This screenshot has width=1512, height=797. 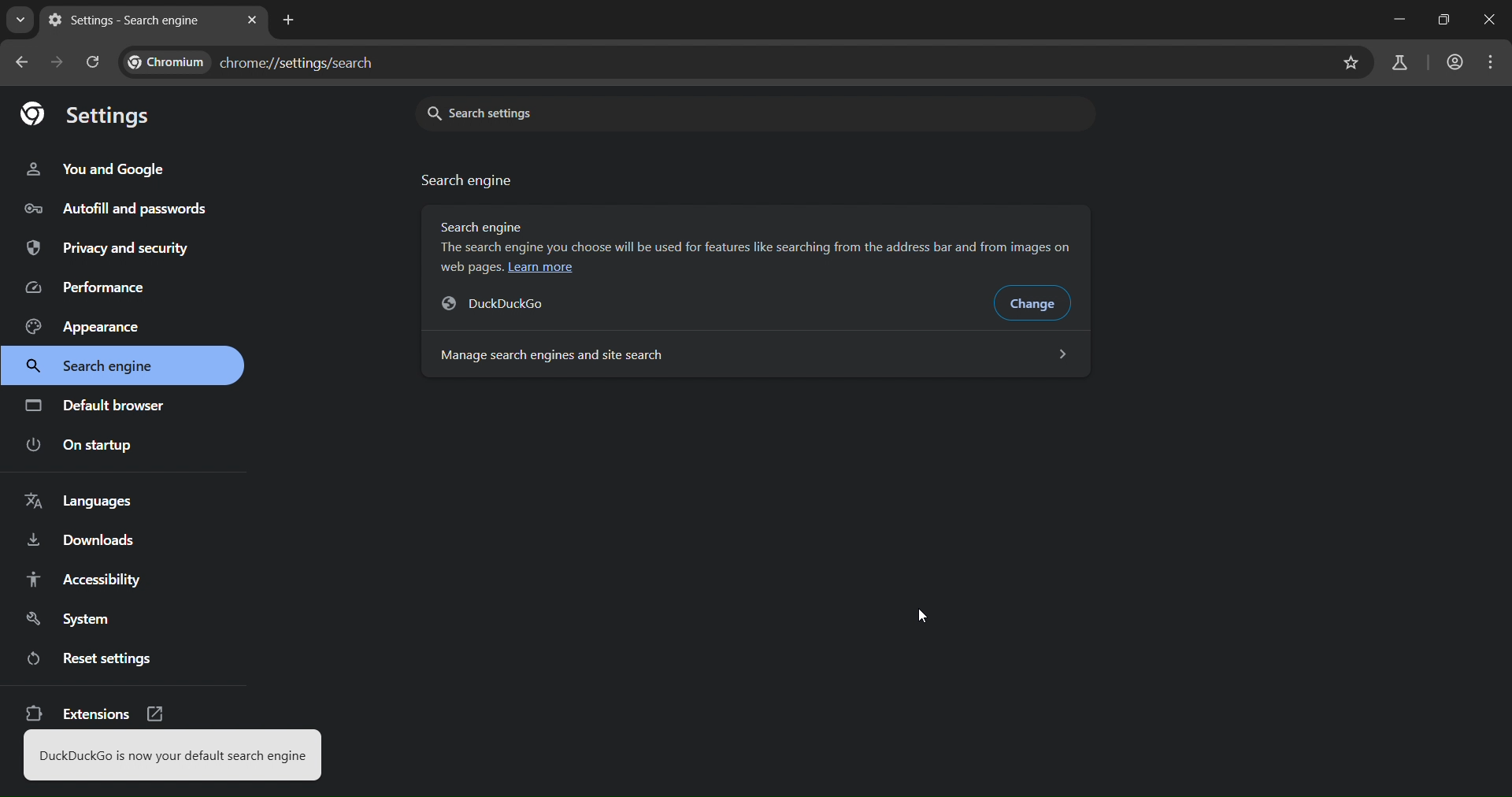 What do you see at coordinates (541, 268) in the screenshot?
I see `Learn more` at bounding box center [541, 268].